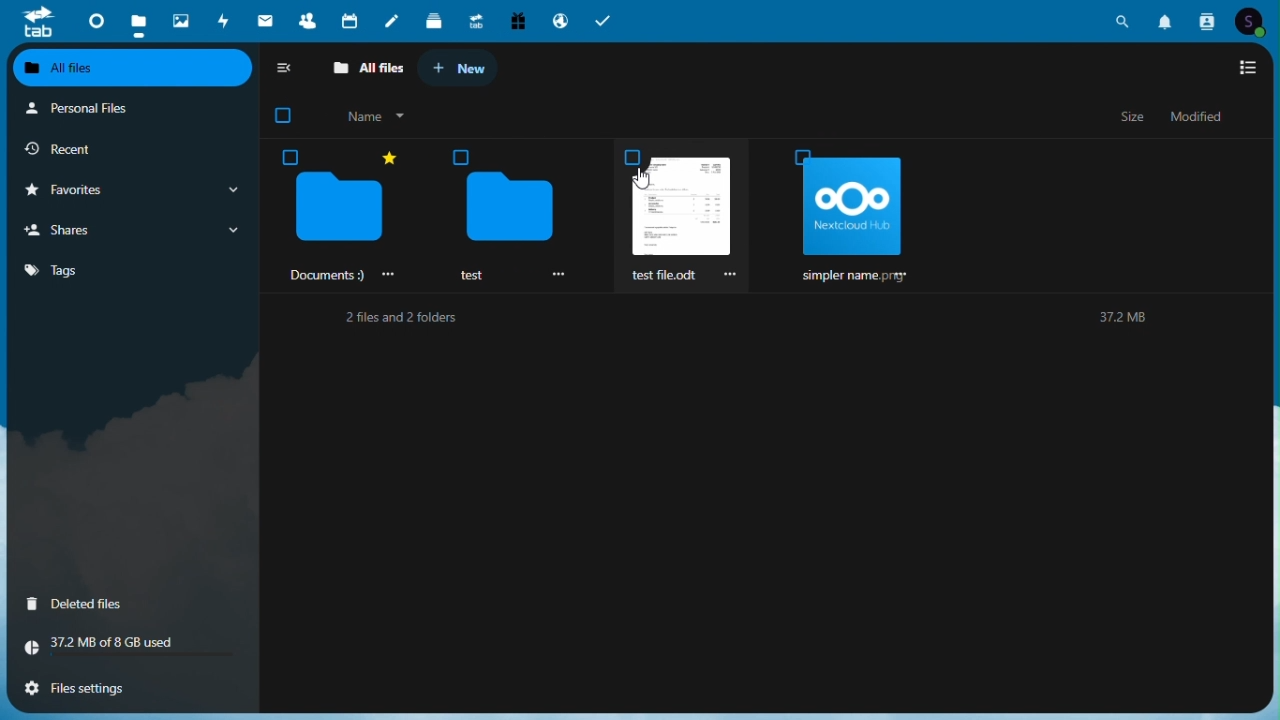 The height and width of the screenshot is (720, 1280). Describe the element at coordinates (856, 218) in the screenshot. I see `simpler name. prey` at that location.